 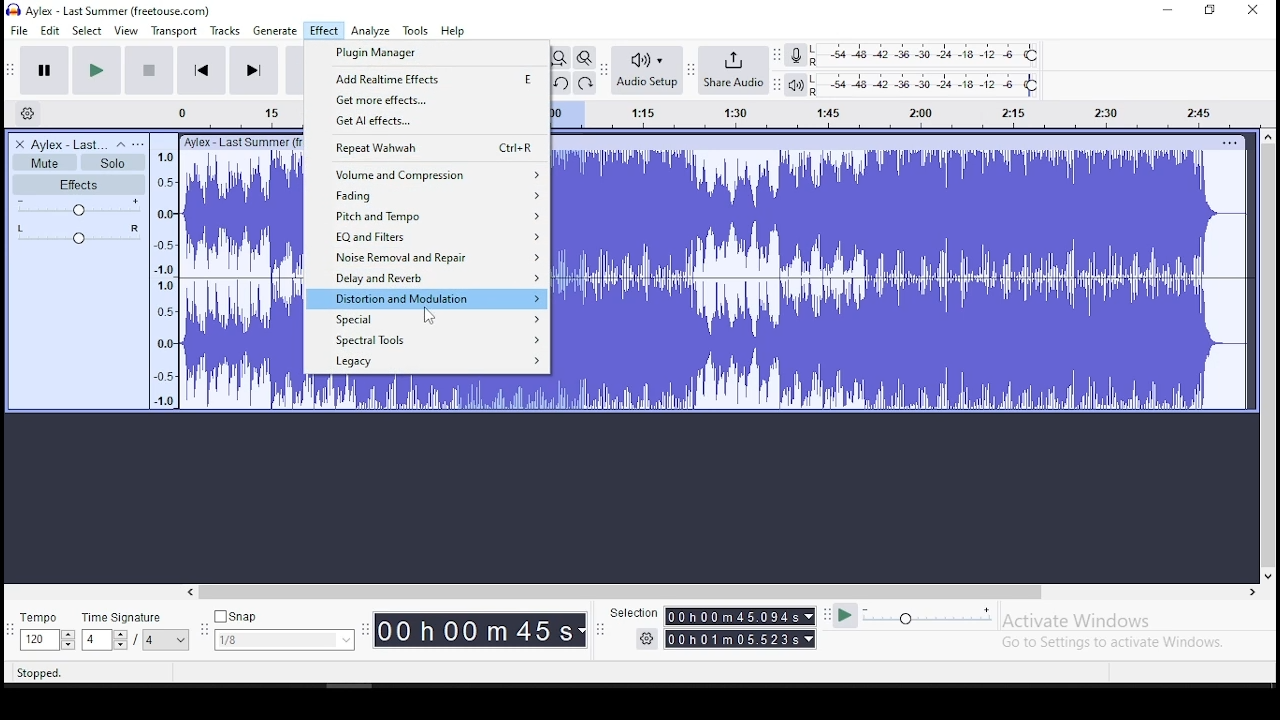 I want to click on cursor, so click(x=429, y=314).